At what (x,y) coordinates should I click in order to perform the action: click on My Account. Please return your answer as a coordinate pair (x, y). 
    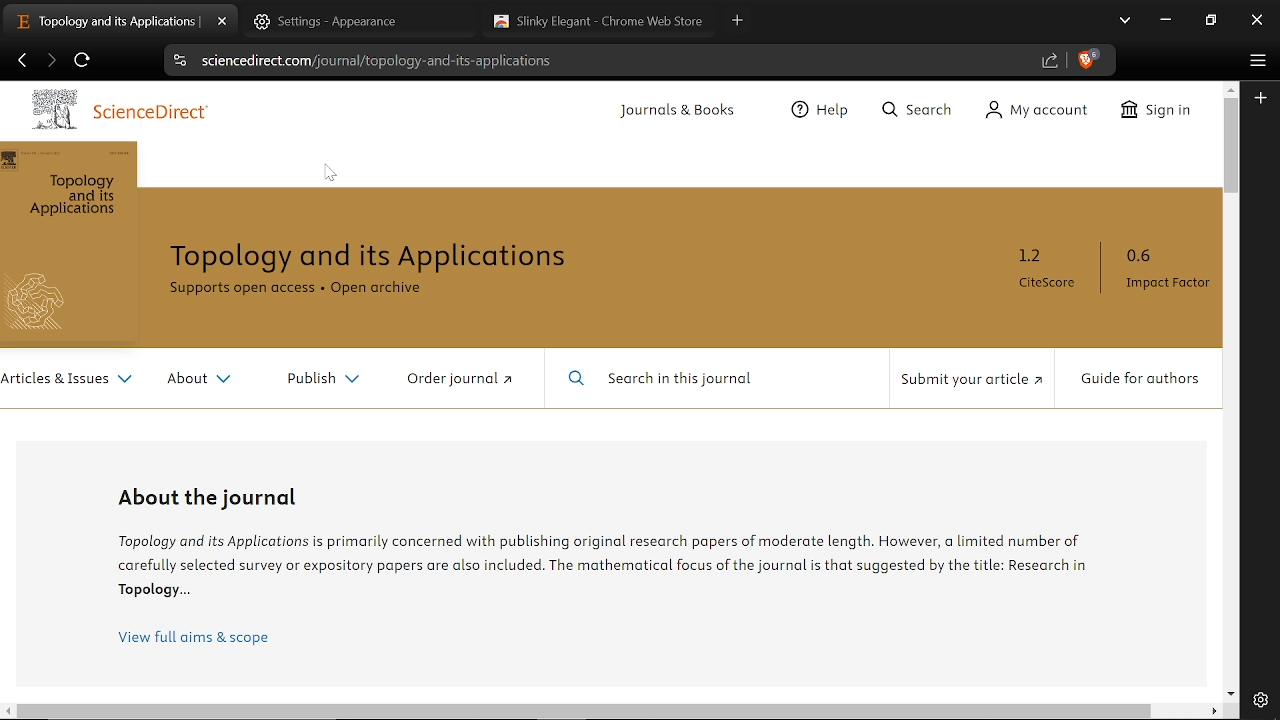
    Looking at the image, I should click on (1032, 112).